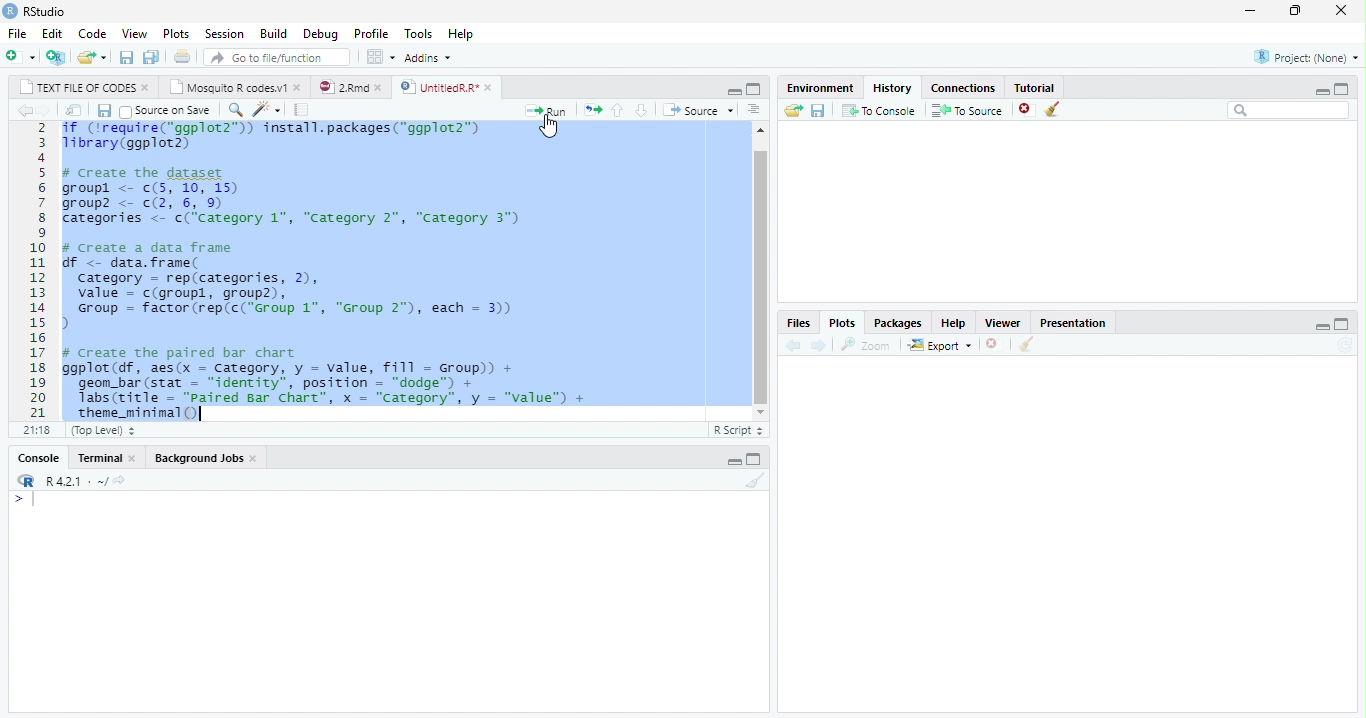 The image size is (1366, 718). What do you see at coordinates (816, 88) in the screenshot?
I see `environment` at bounding box center [816, 88].